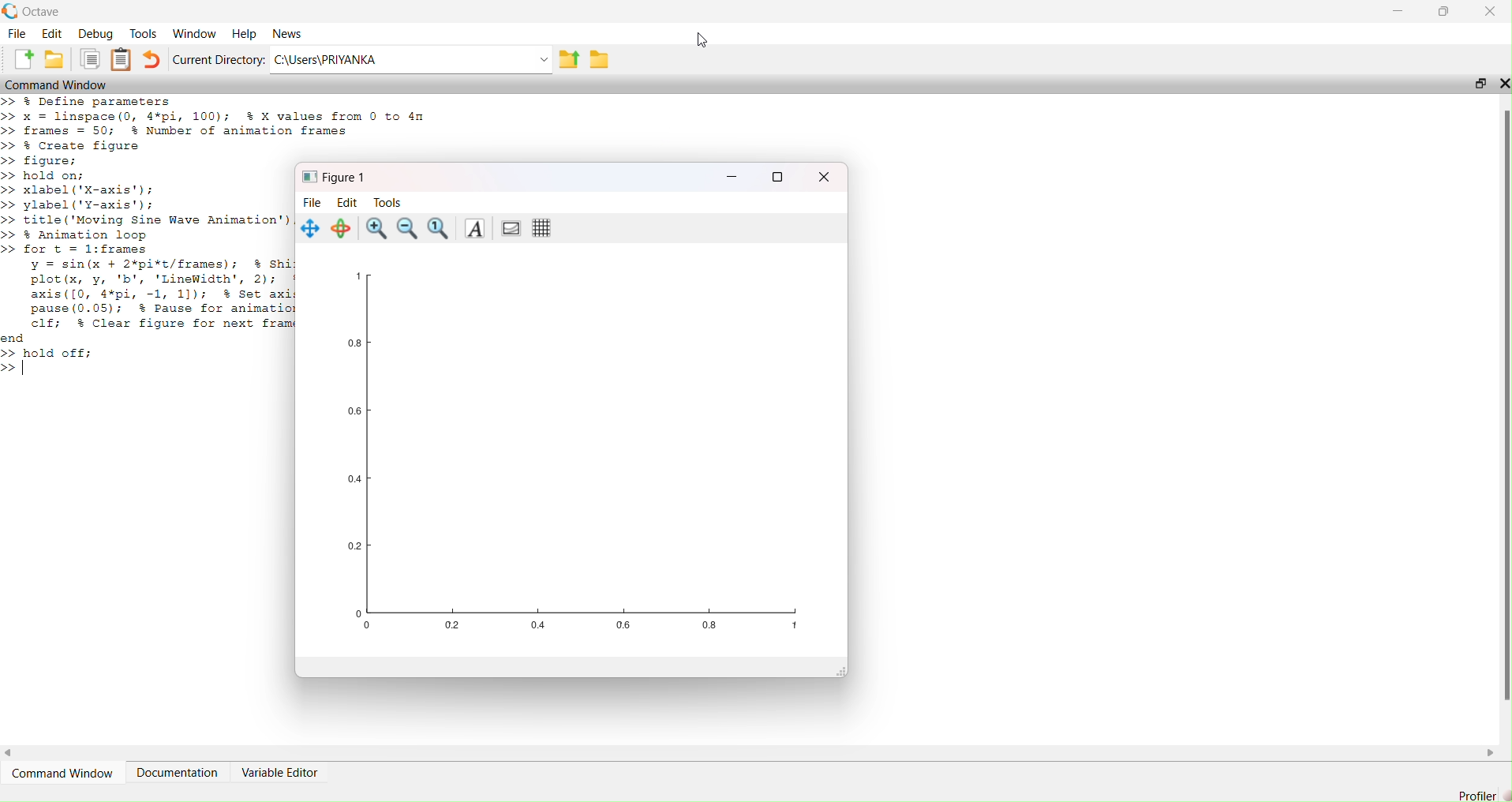 Image resolution: width=1512 pixels, height=802 pixels. What do you see at coordinates (313, 230) in the screenshot?
I see `navigate` at bounding box center [313, 230].